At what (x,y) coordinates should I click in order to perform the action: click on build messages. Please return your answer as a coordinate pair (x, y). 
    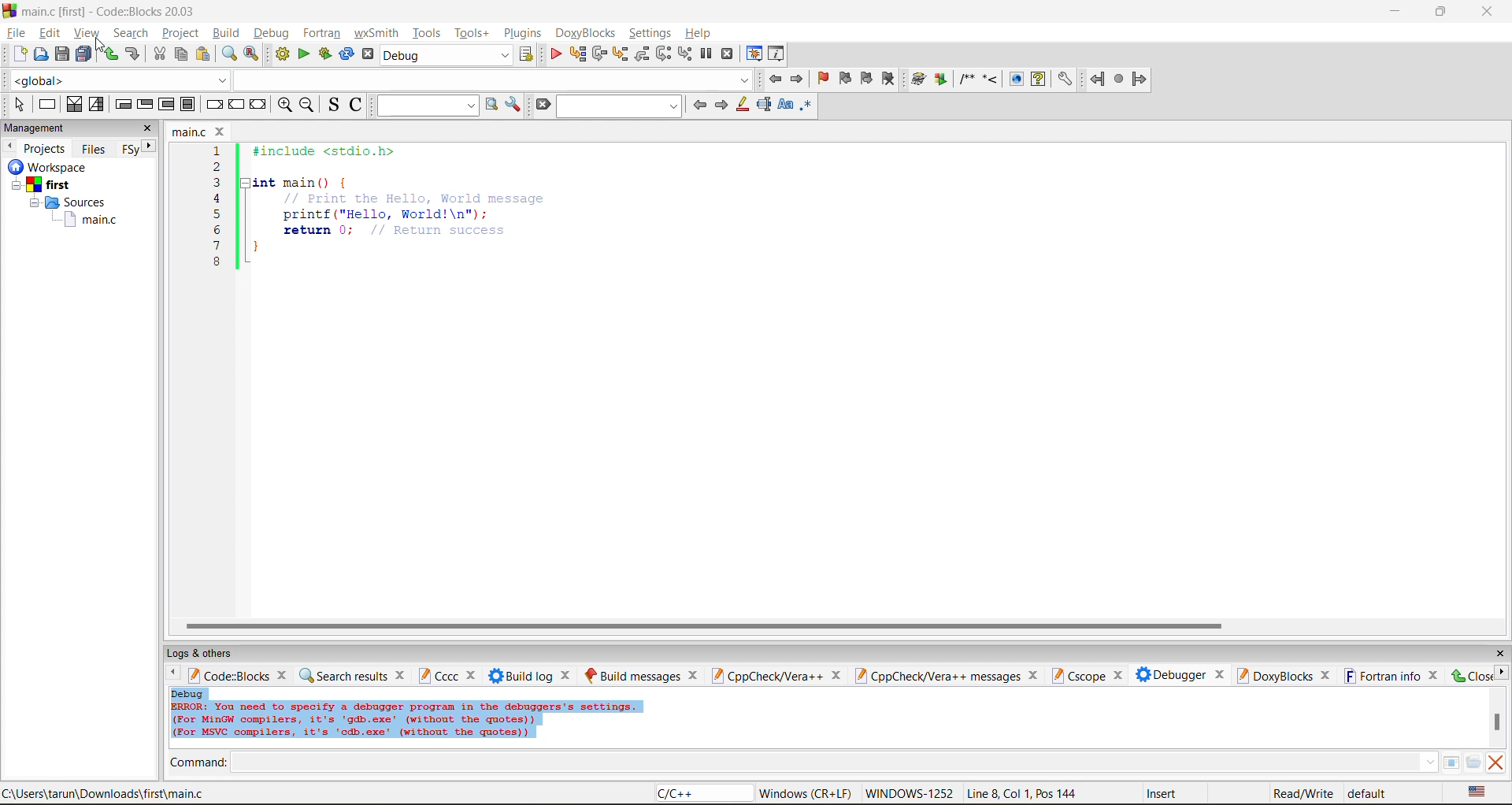
    Looking at the image, I should click on (639, 673).